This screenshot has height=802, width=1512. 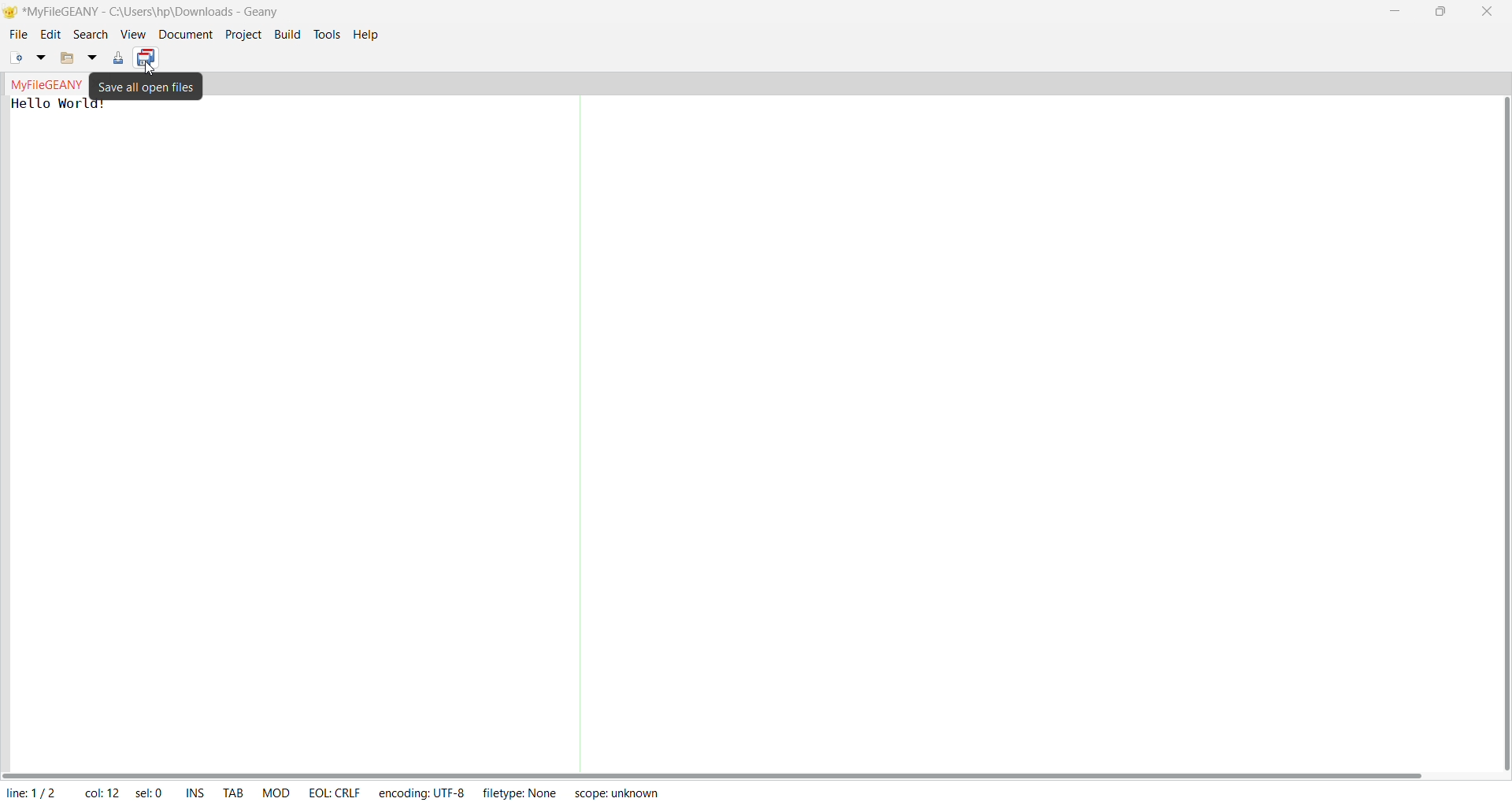 I want to click on INS, so click(x=197, y=789).